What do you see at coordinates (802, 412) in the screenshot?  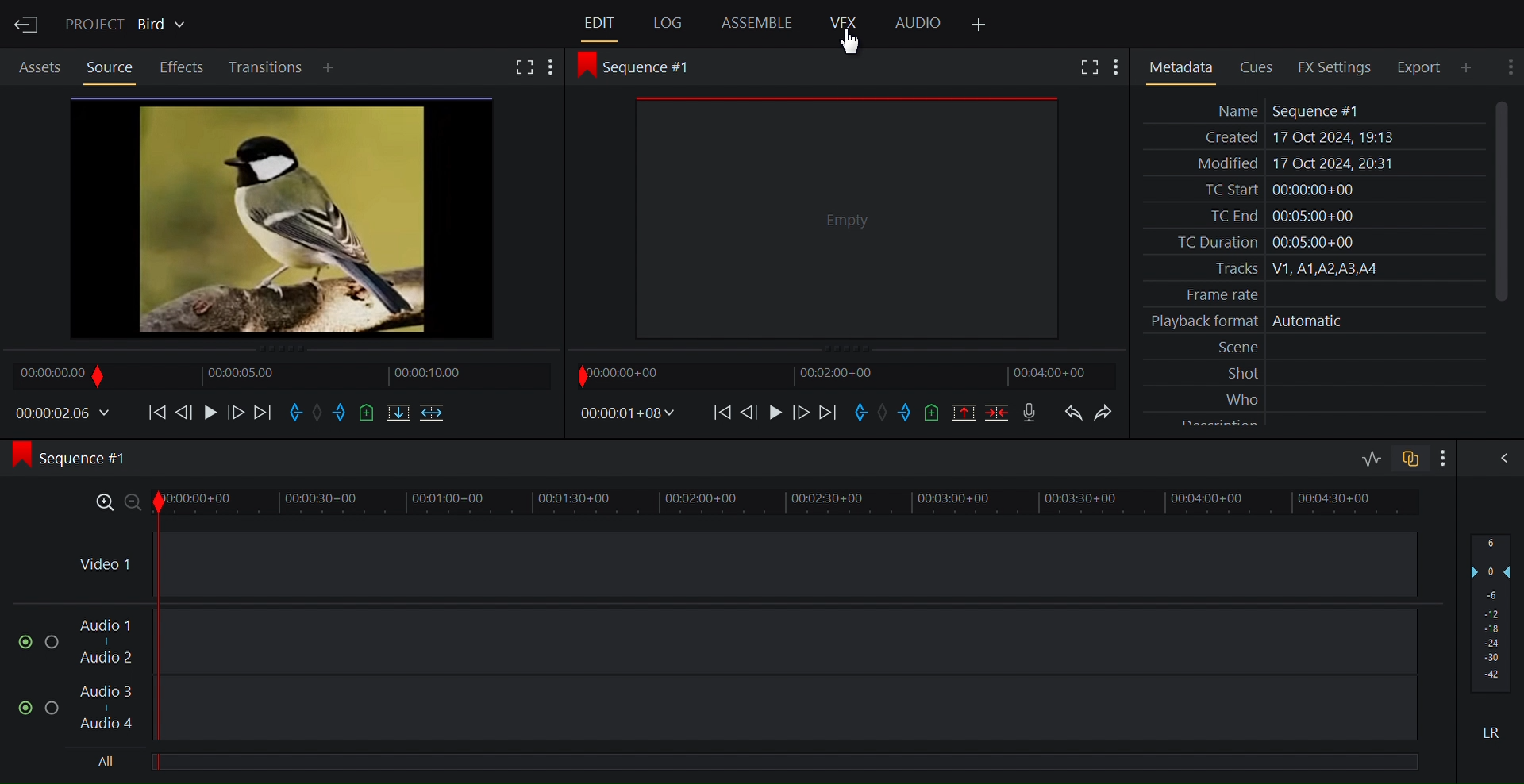 I see `Nudge one frame forward` at bounding box center [802, 412].